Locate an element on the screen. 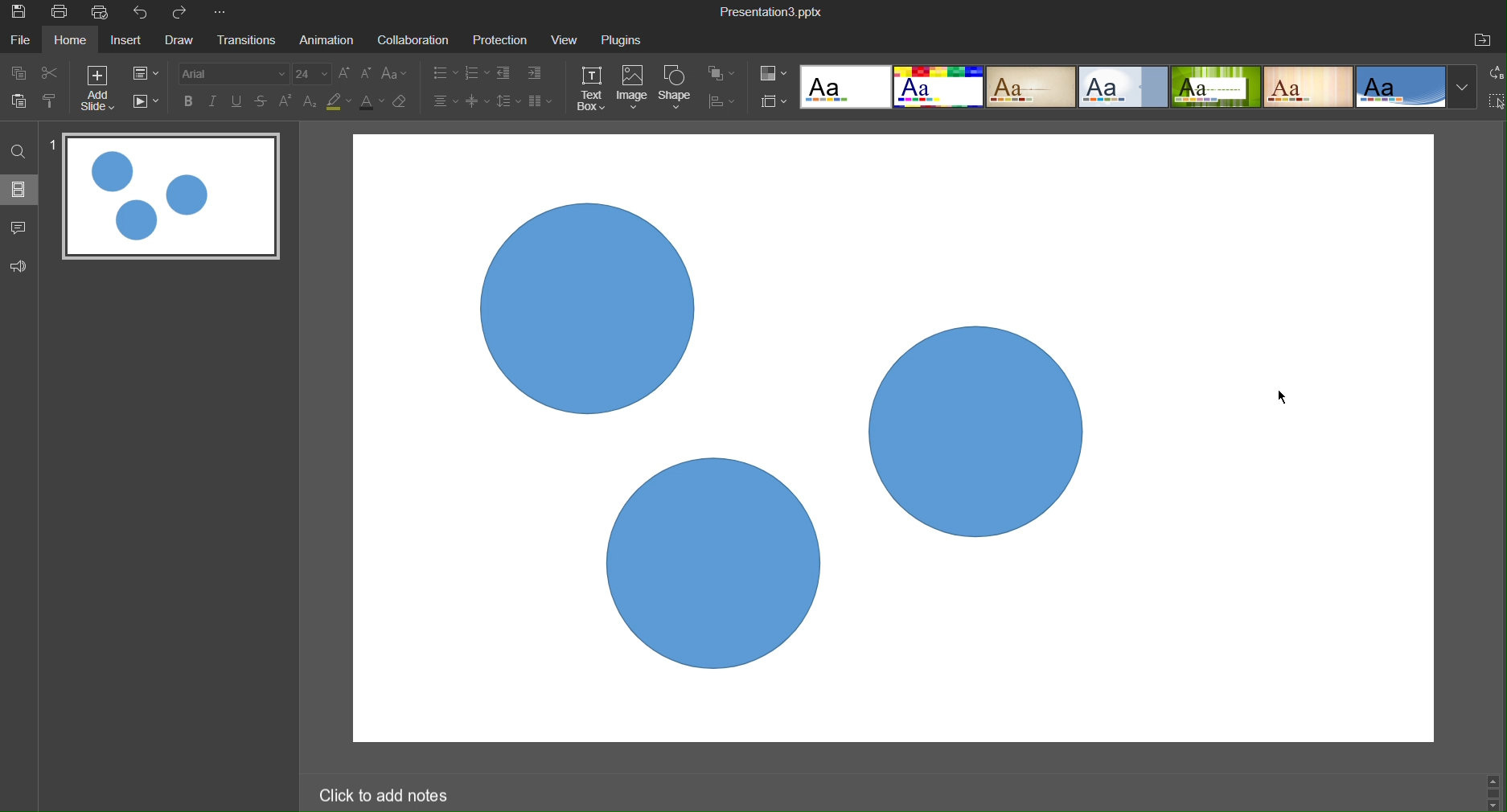 The height and width of the screenshot is (812, 1507). Scroll up is located at coordinates (1497, 777).